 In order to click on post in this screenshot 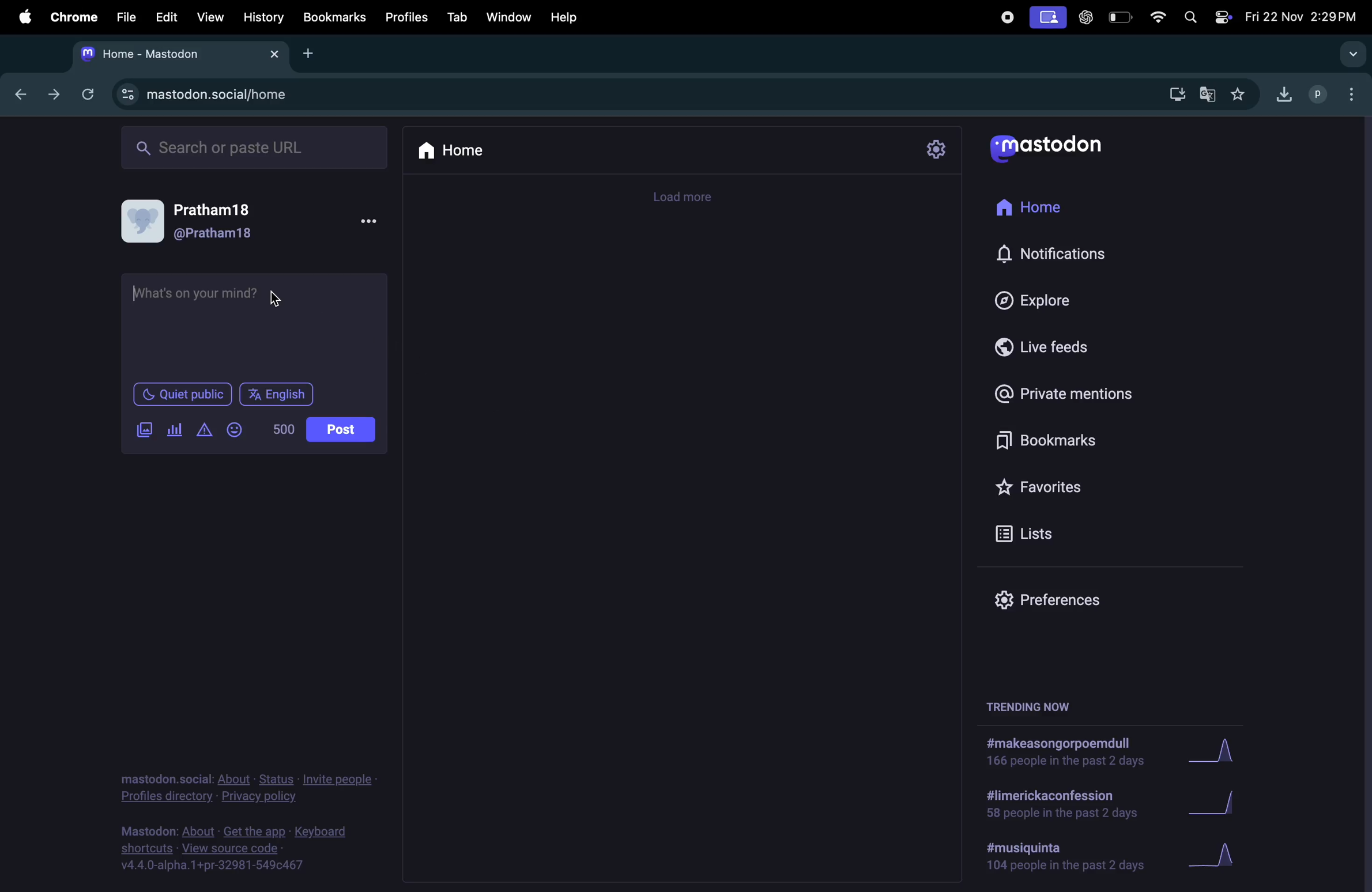, I will do `click(341, 429)`.